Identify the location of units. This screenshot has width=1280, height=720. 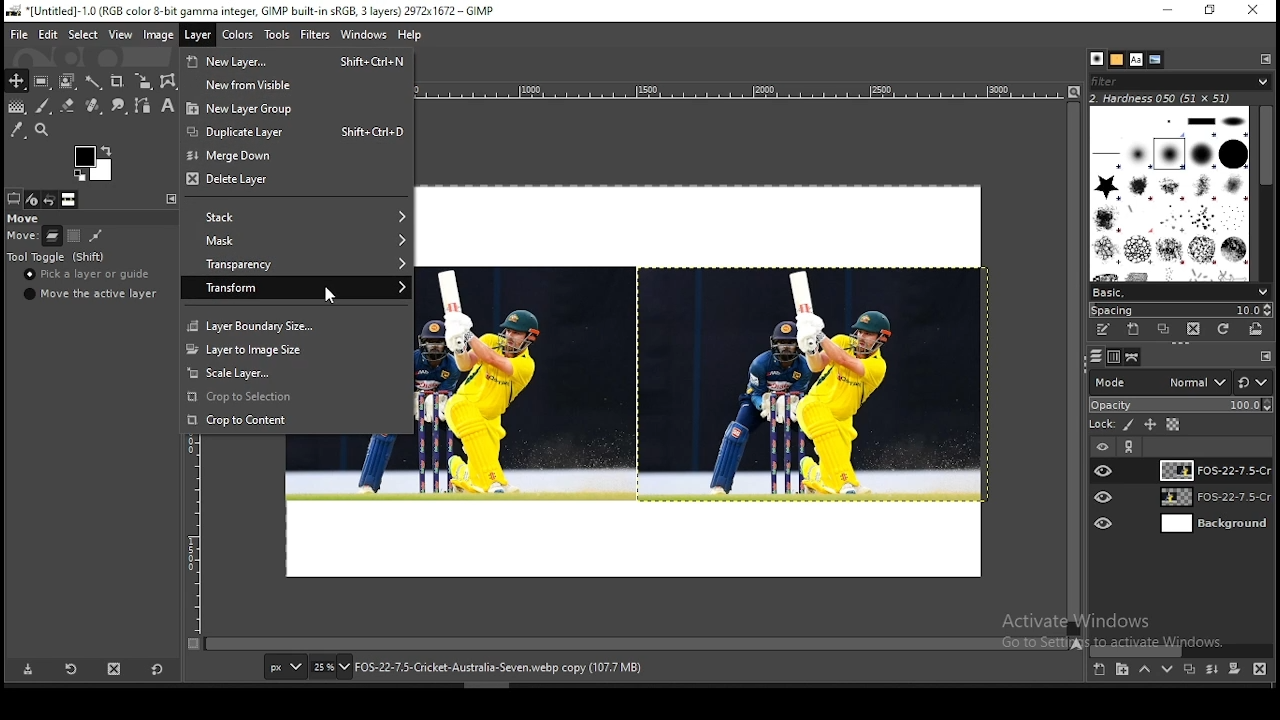
(285, 668).